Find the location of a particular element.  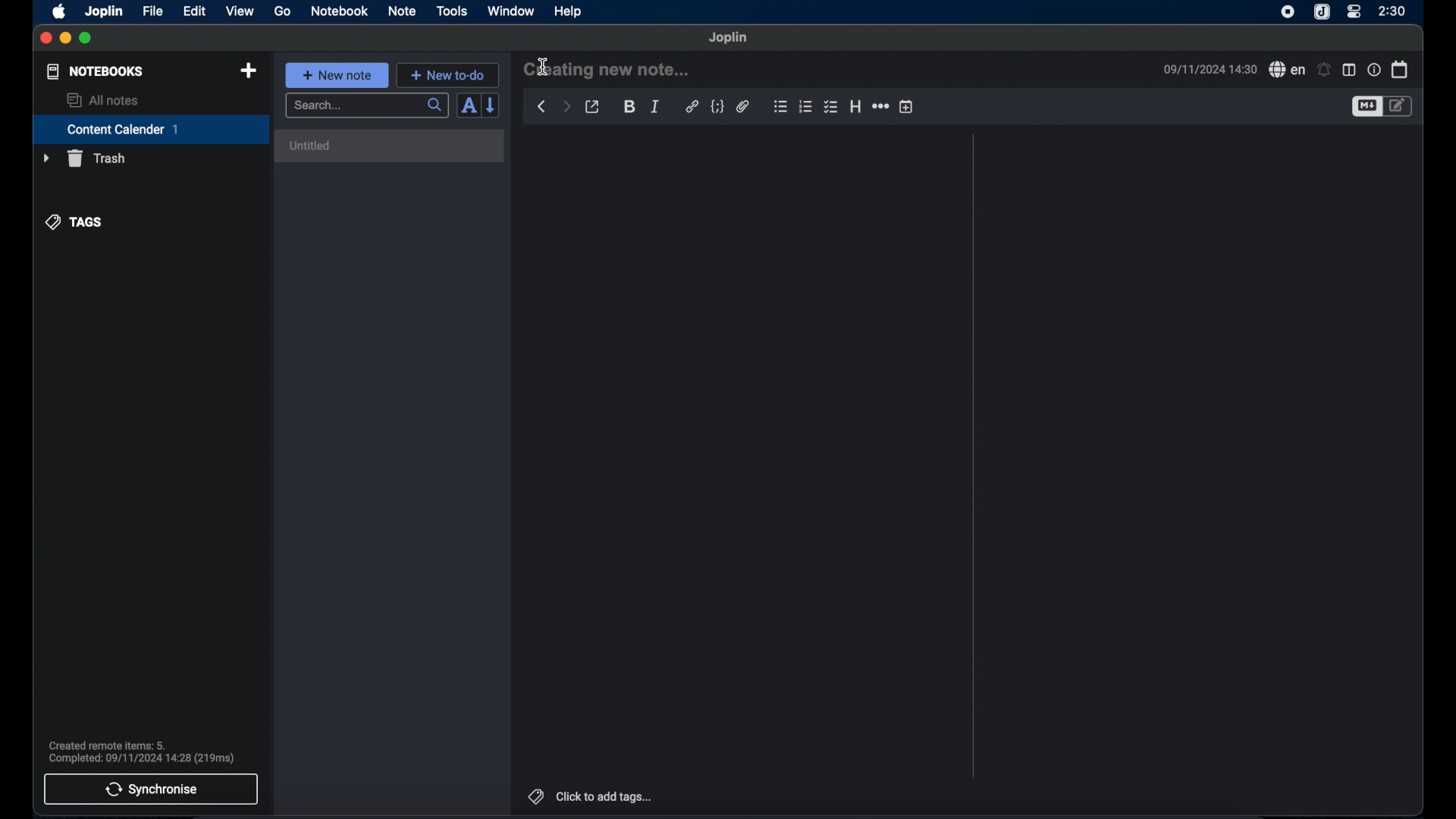

tags is located at coordinates (74, 222).